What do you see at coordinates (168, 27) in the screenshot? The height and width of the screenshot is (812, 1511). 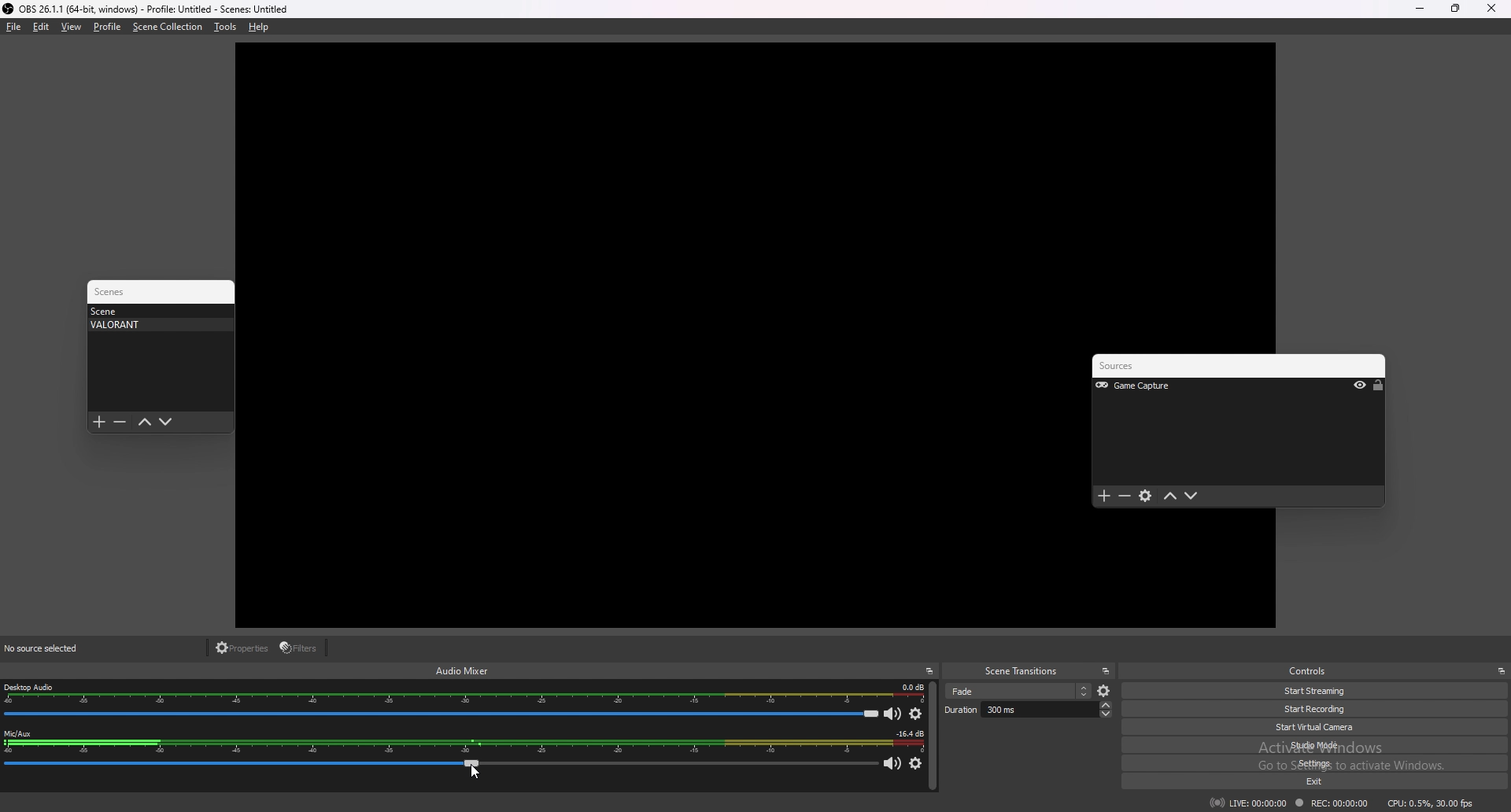 I see `scene collection` at bounding box center [168, 27].